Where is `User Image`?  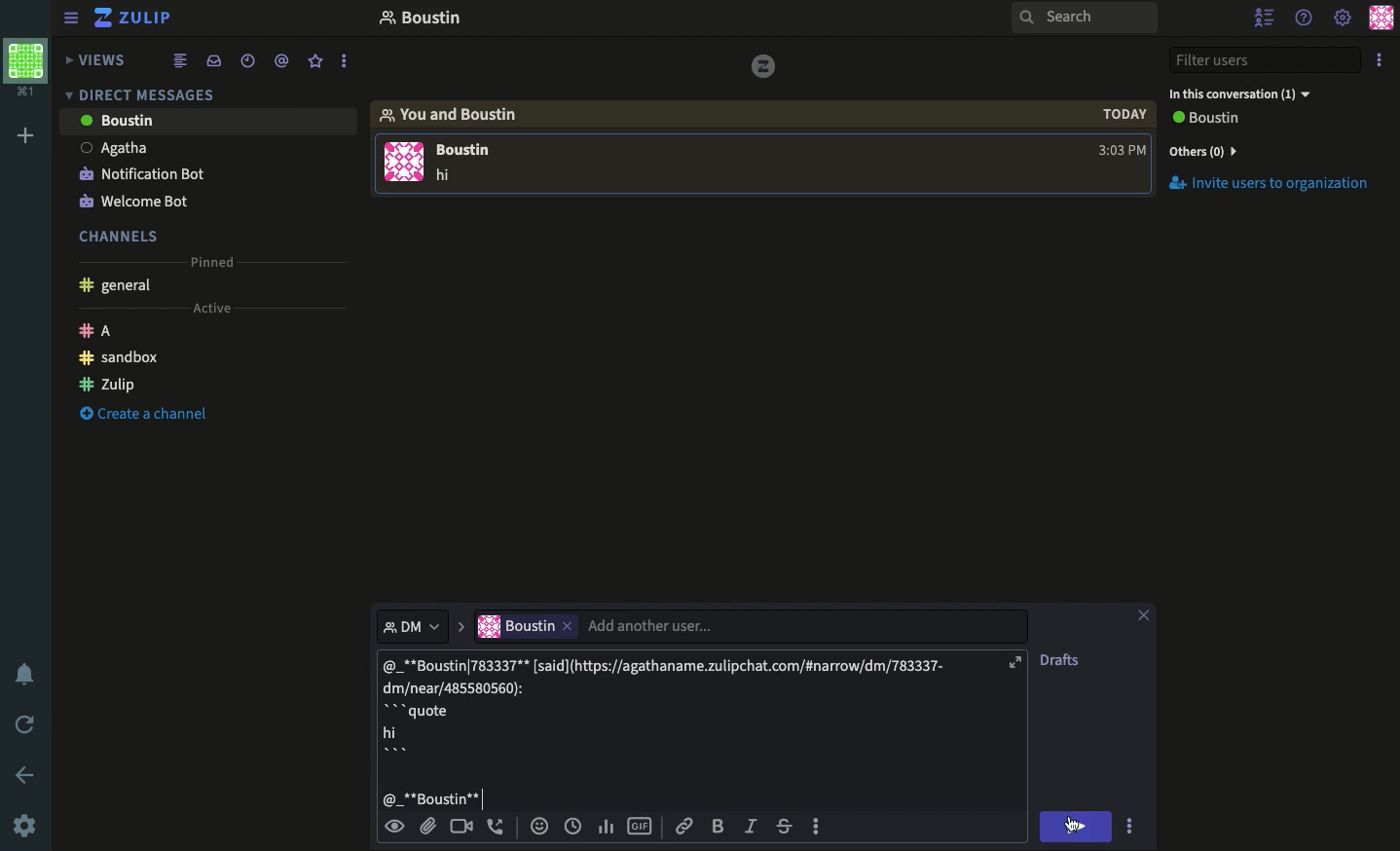 User Image is located at coordinates (404, 166).